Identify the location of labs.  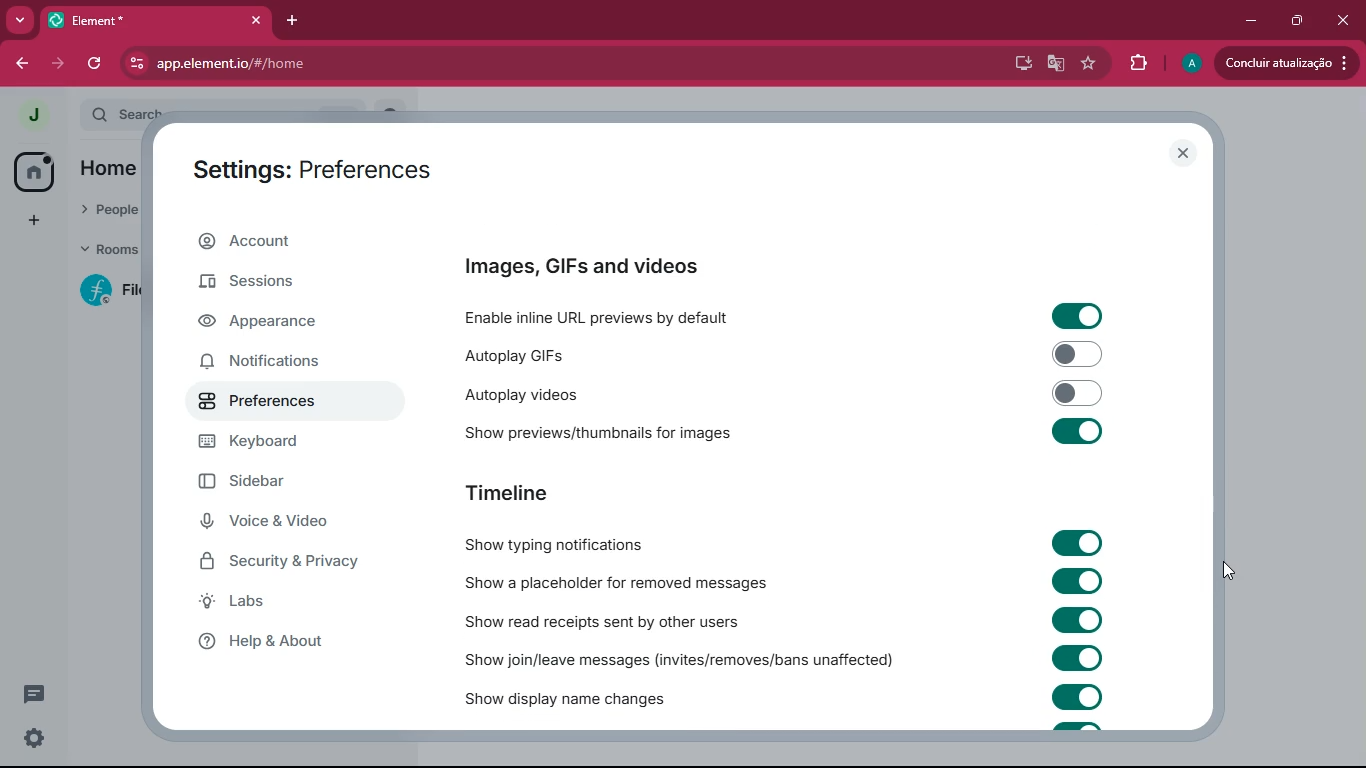
(302, 602).